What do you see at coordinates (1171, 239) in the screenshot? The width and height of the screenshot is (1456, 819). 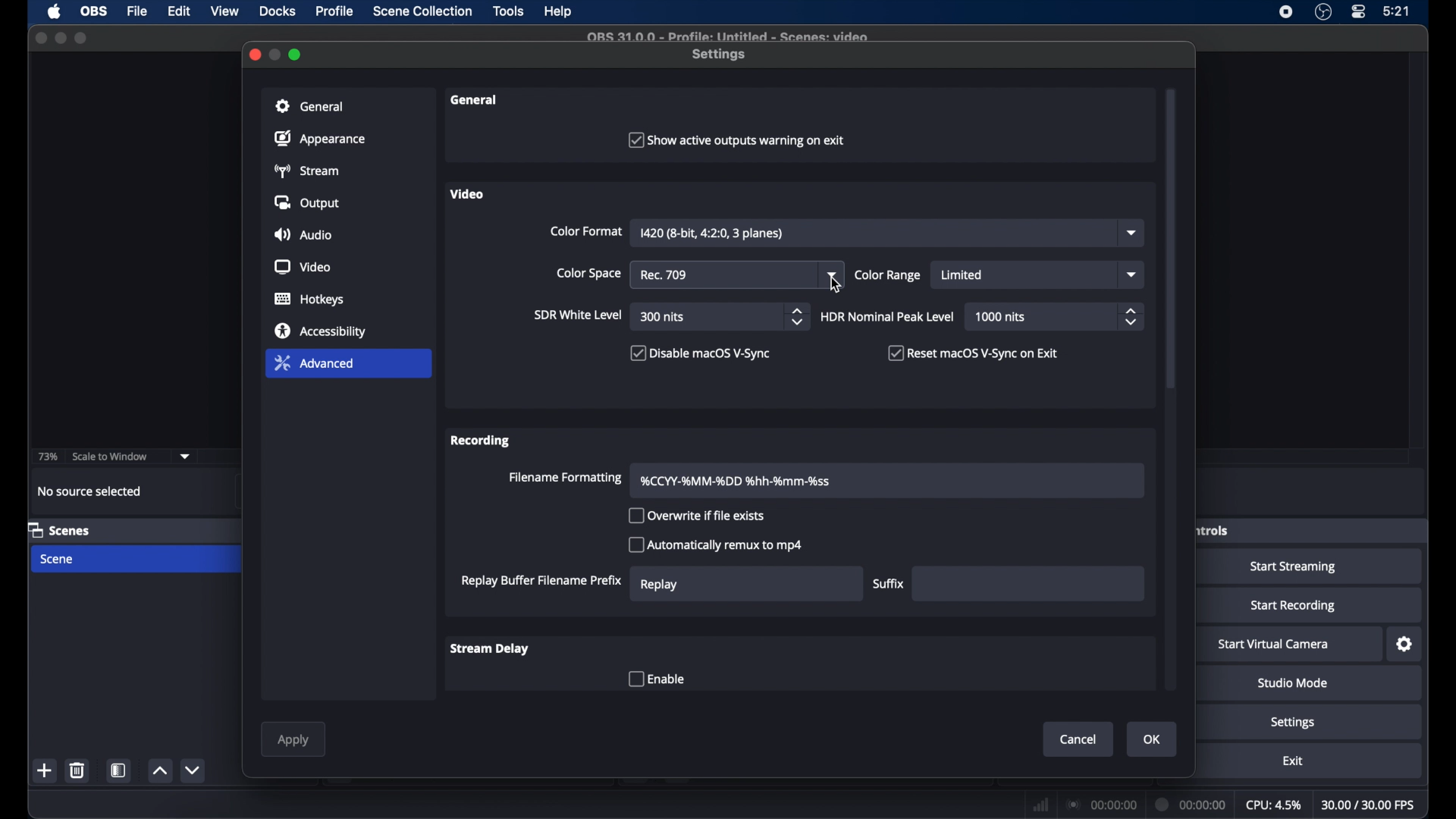 I see `scroll box` at bounding box center [1171, 239].